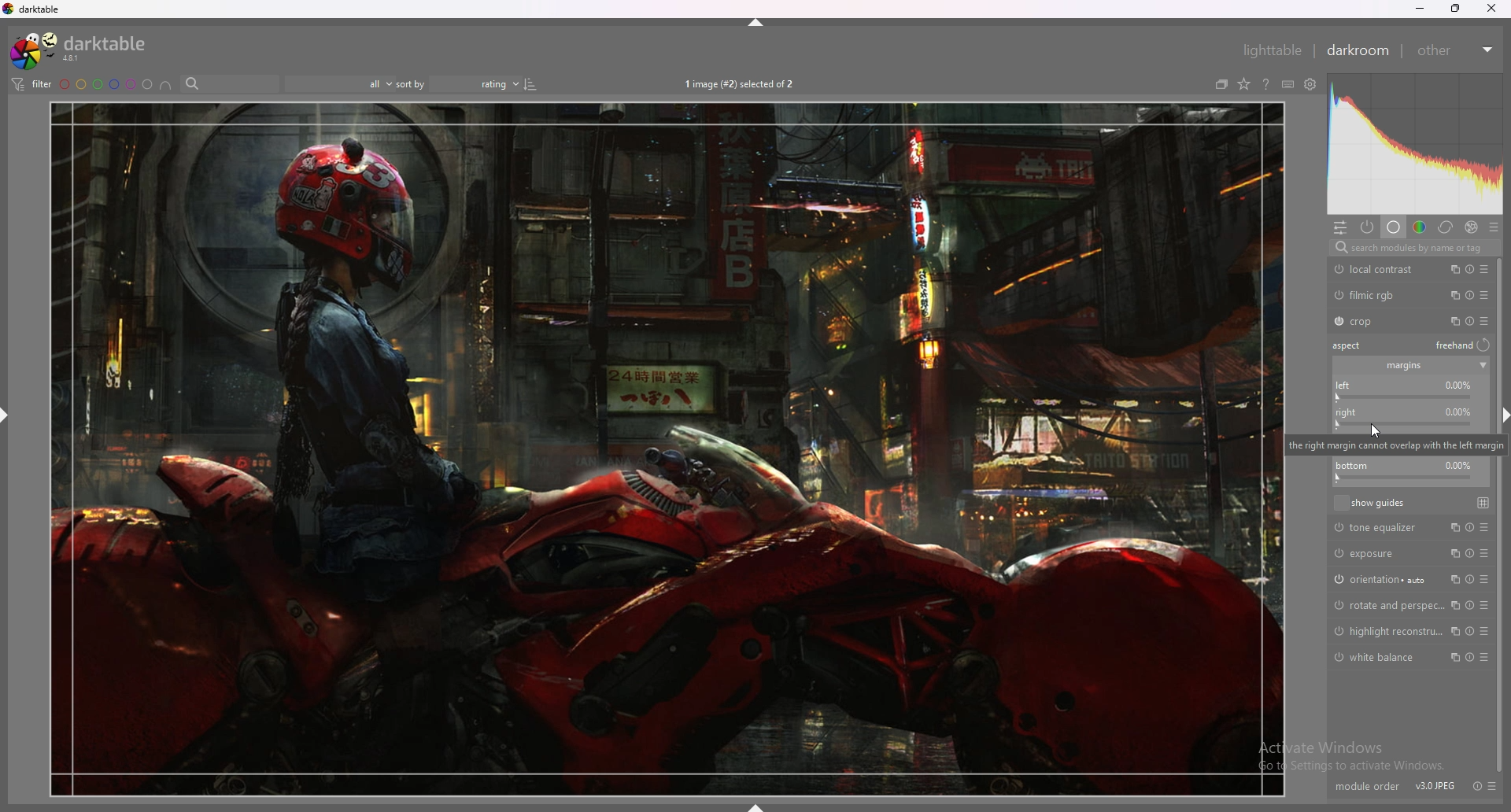  Describe the element at coordinates (1376, 430) in the screenshot. I see `cursor` at that location.